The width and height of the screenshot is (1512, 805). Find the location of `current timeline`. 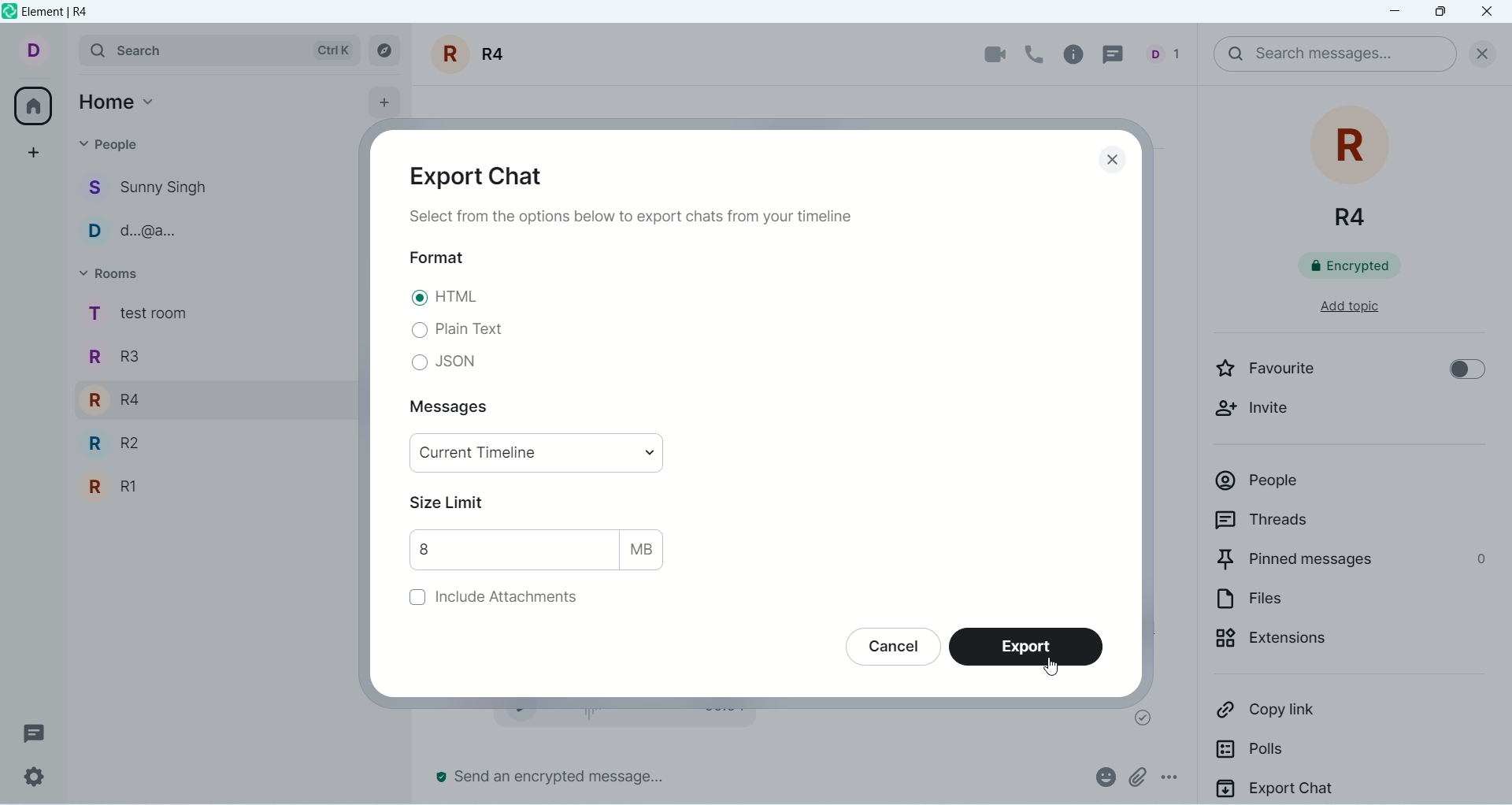

current timeline is located at coordinates (539, 453).